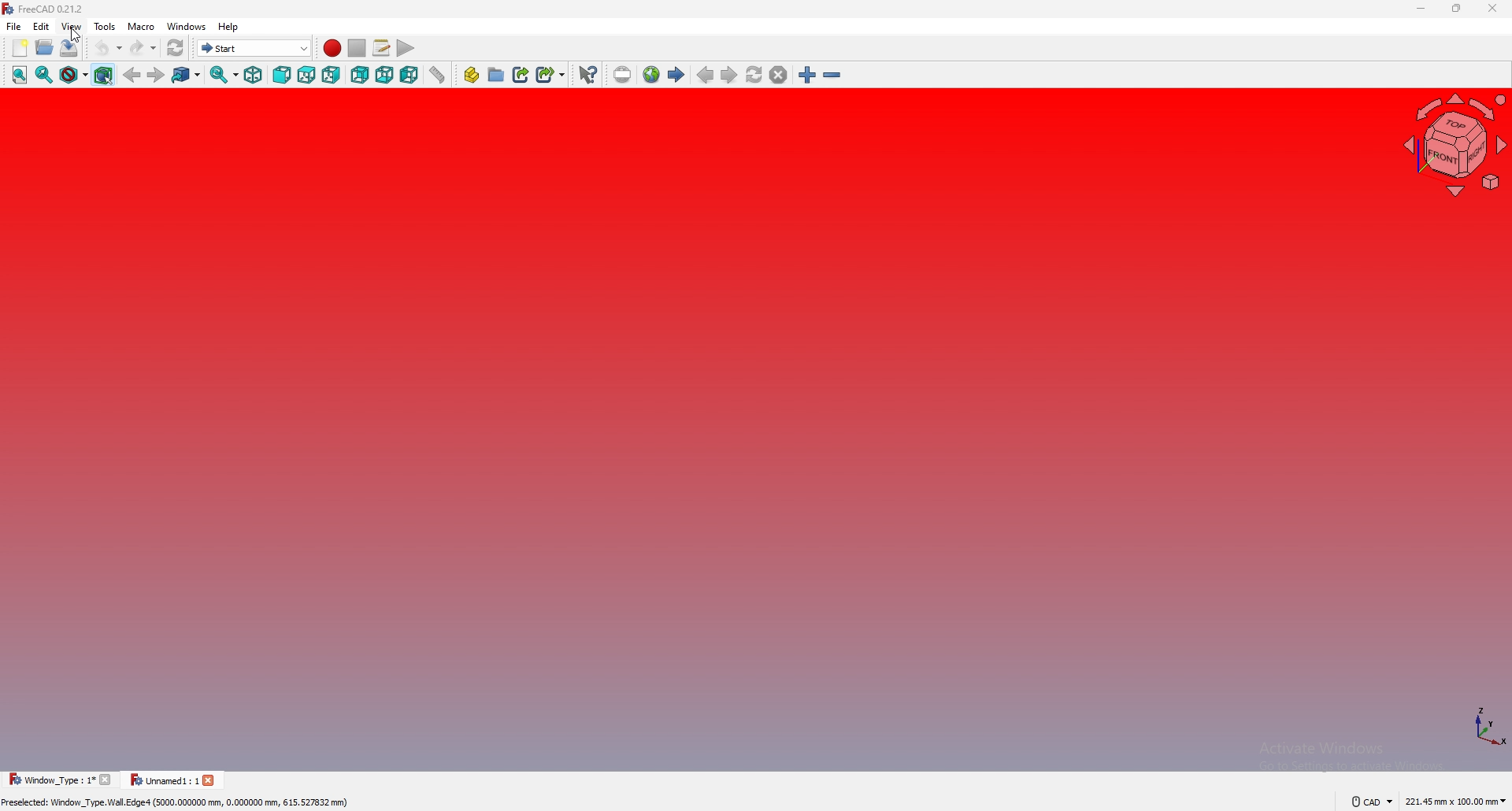 The image size is (1512, 811). Describe the element at coordinates (497, 74) in the screenshot. I see `create group` at that location.